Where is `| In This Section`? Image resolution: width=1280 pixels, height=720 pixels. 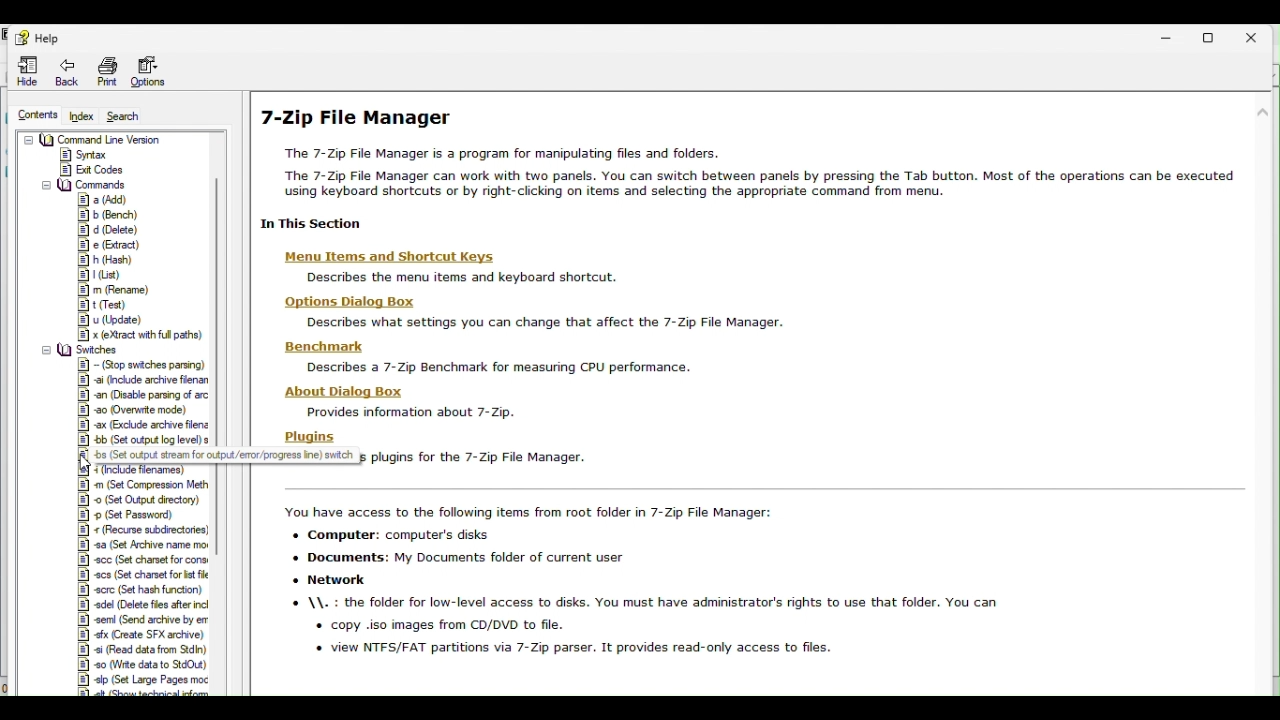
| In This Section is located at coordinates (310, 223).